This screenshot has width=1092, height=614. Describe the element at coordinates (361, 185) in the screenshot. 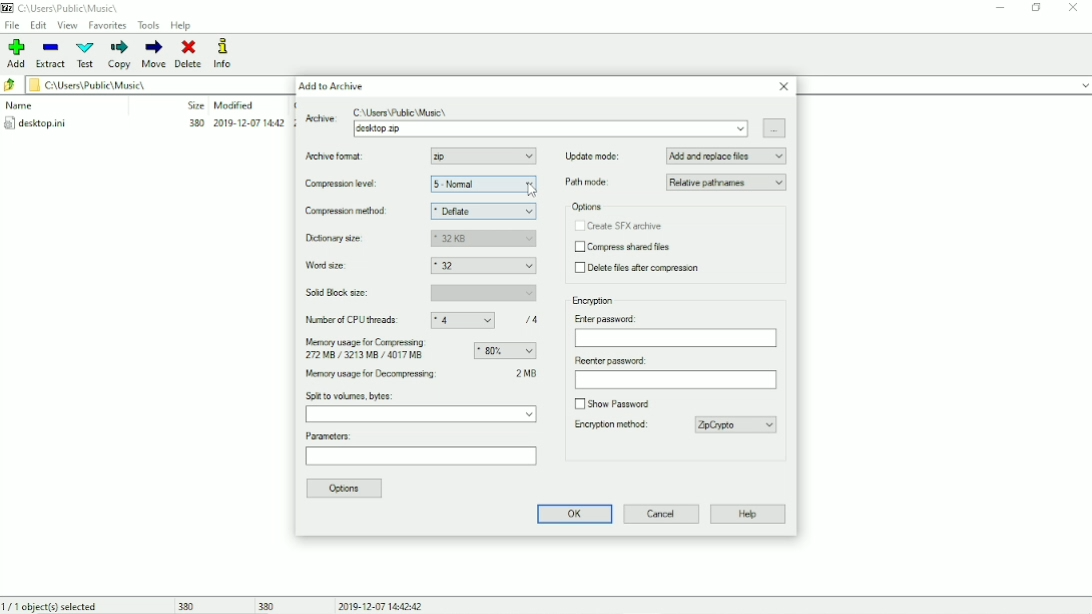

I see `Compression level` at that location.